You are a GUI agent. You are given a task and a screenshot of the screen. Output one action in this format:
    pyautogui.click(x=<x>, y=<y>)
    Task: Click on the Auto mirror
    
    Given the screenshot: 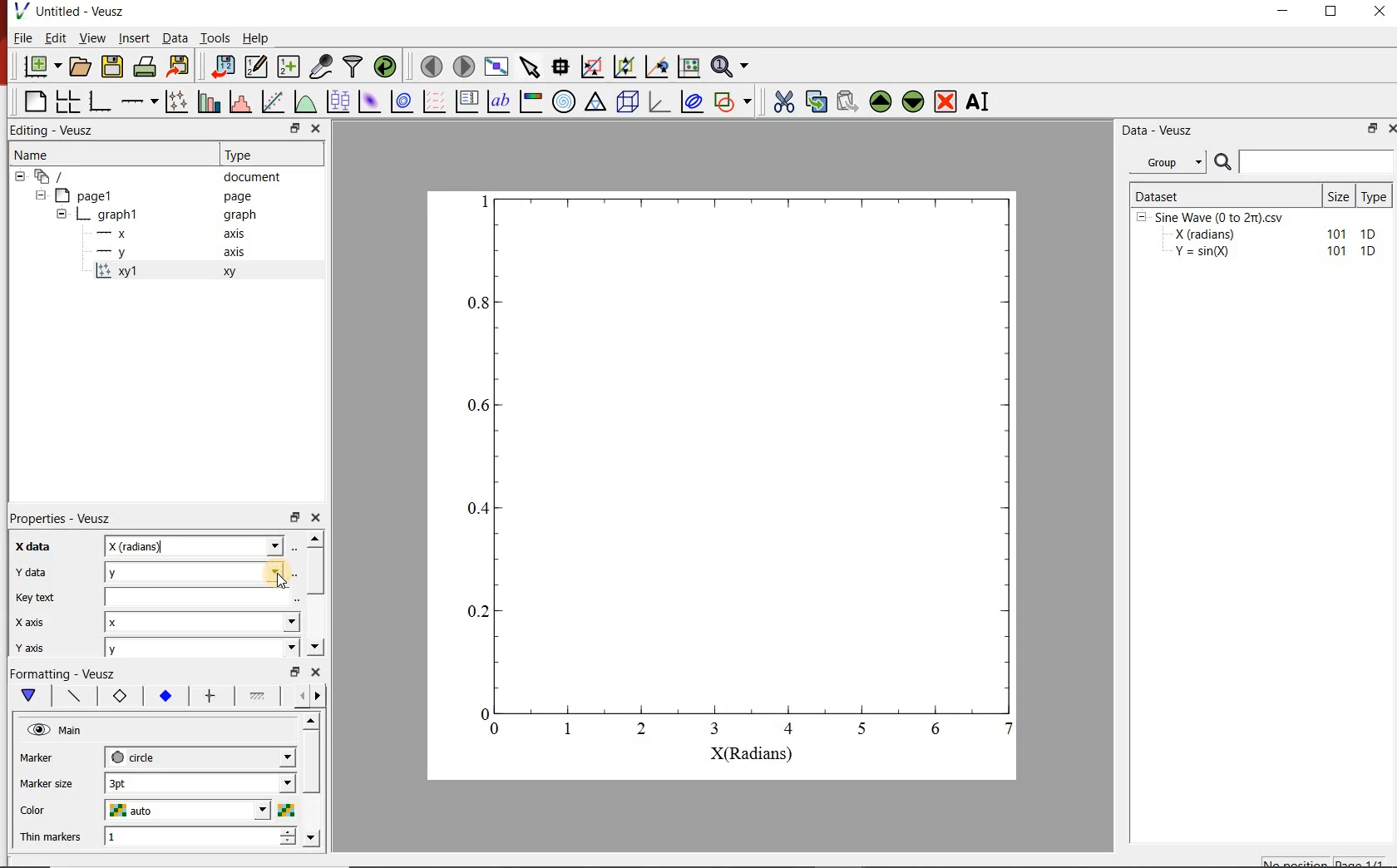 What is the action you would take?
    pyautogui.click(x=47, y=782)
    